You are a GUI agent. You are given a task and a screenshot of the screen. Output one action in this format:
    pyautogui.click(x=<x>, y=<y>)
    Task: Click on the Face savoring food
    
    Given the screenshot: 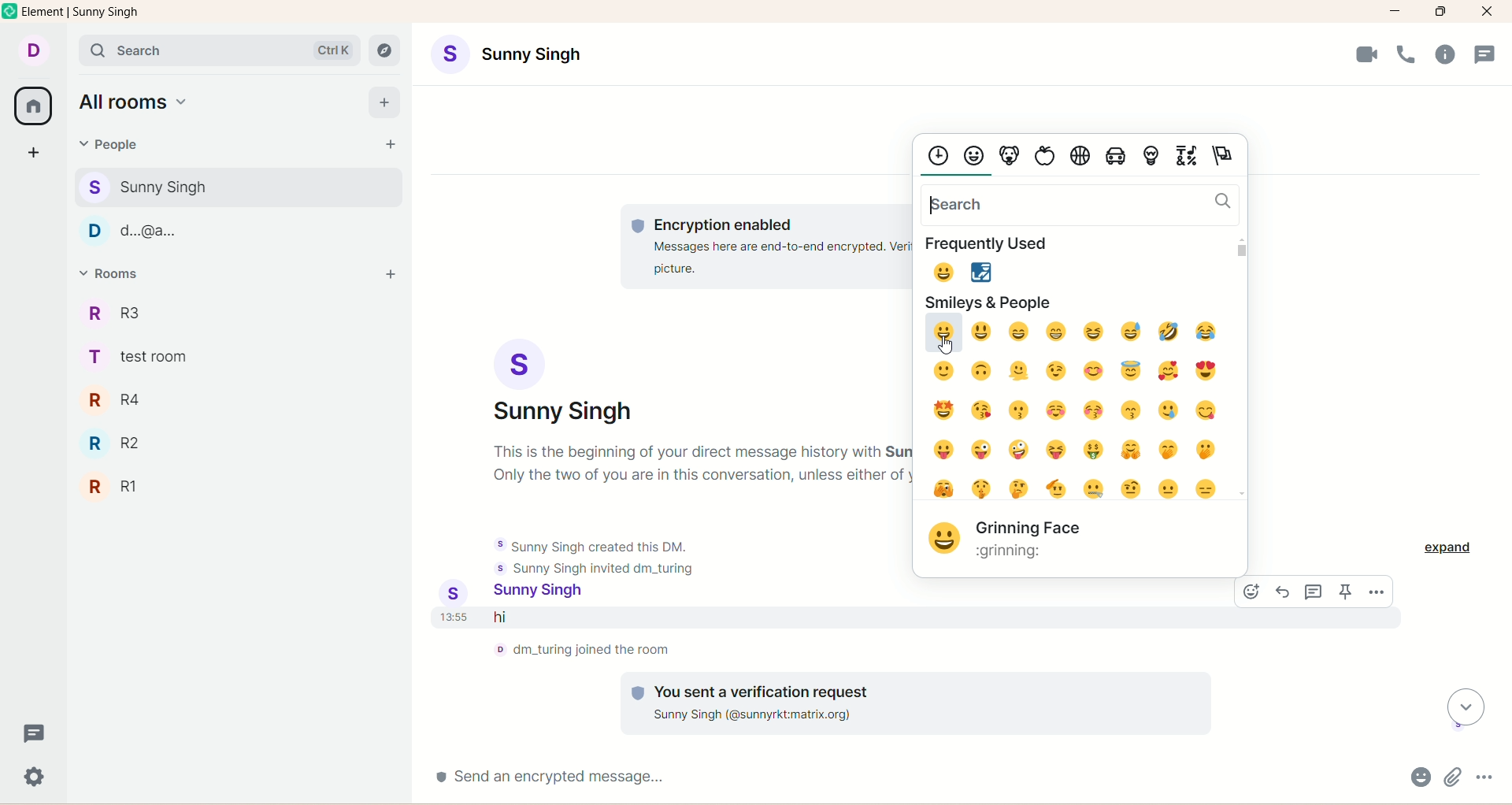 What is the action you would take?
    pyautogui.click(x=1206, y=410)
    